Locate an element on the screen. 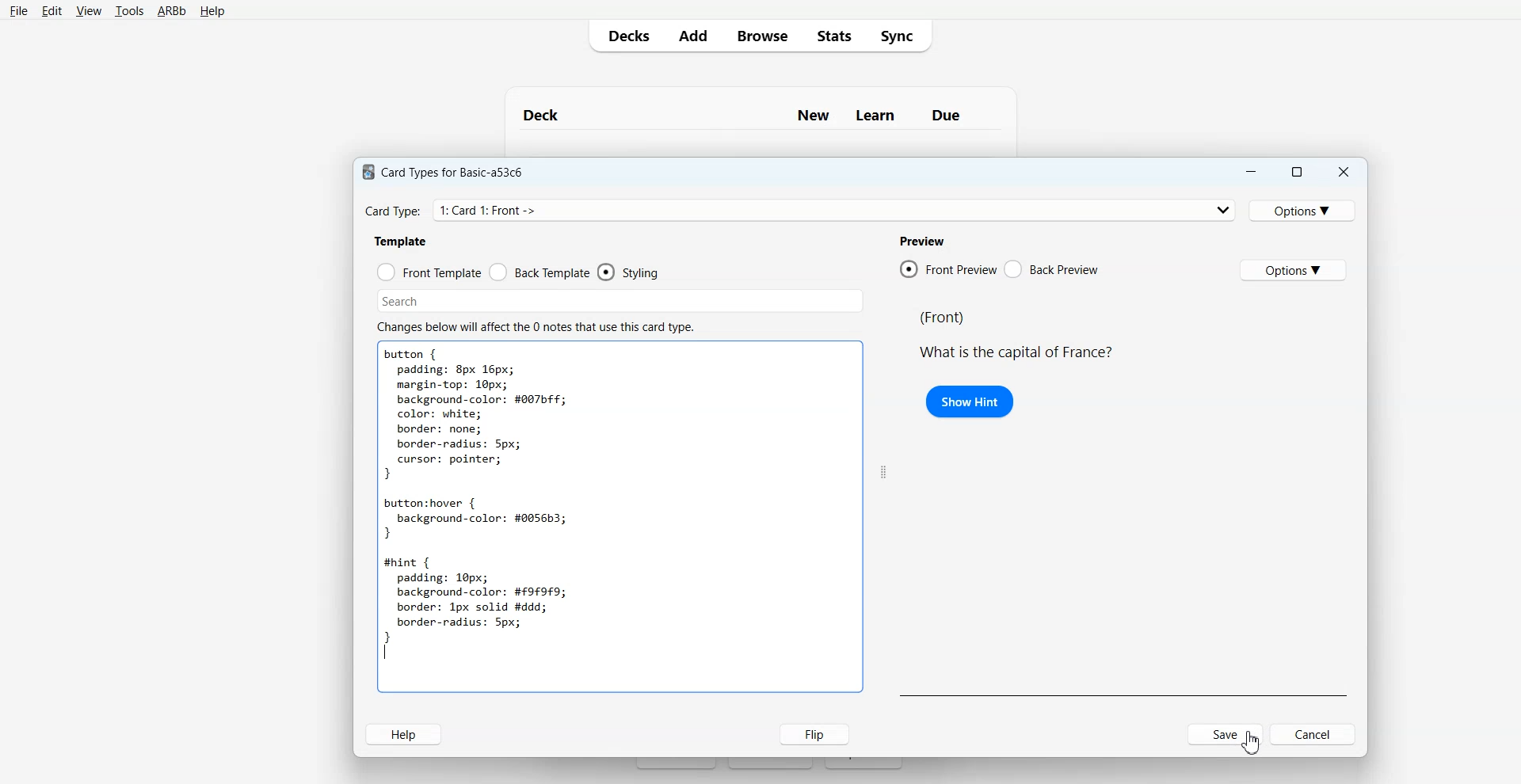 The width and height of the screenshot is (1521, 784). Cancel is located at coordinates (1315, 733).